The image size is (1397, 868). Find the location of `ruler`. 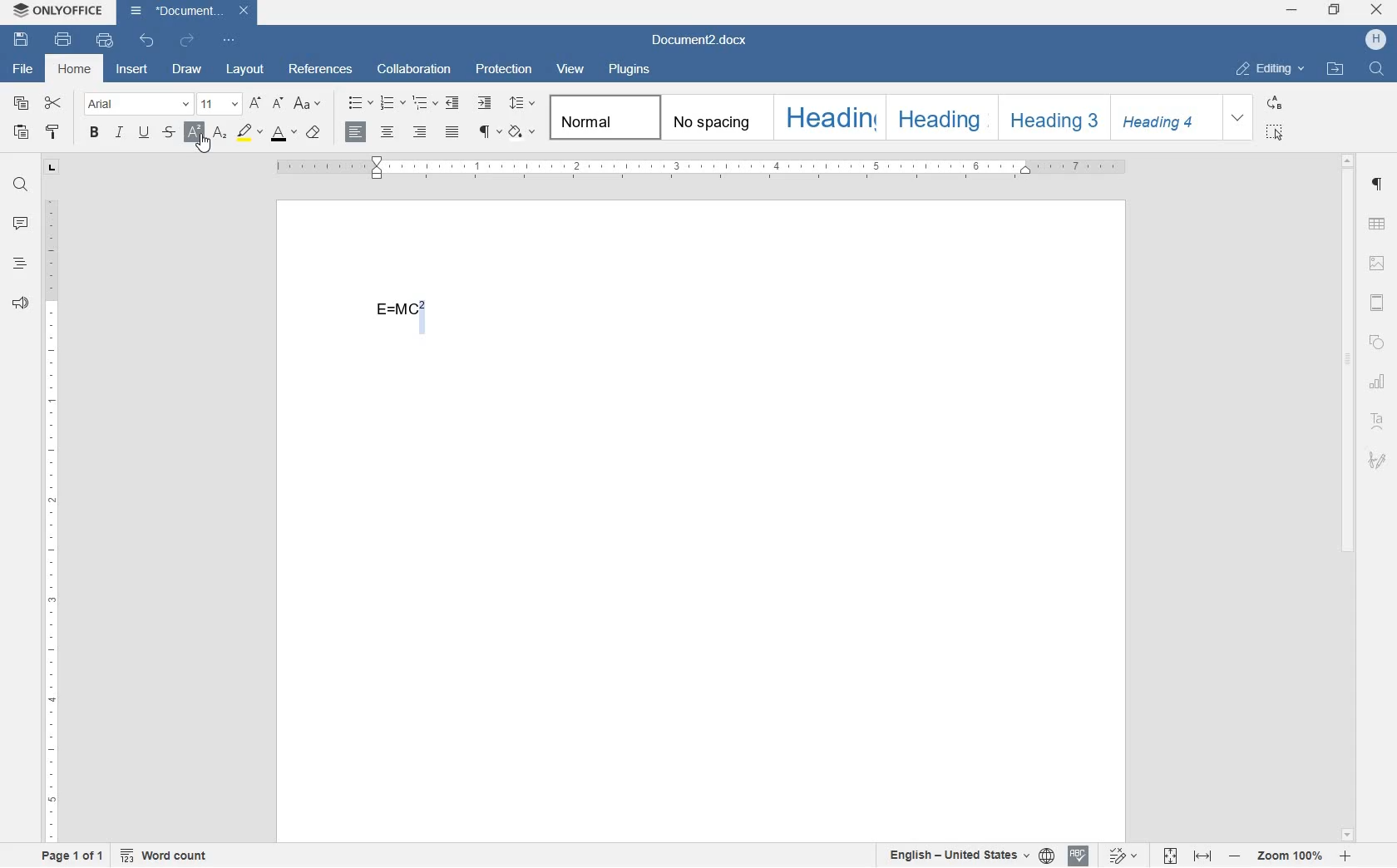

ruler is located at coordinates (717, 168).